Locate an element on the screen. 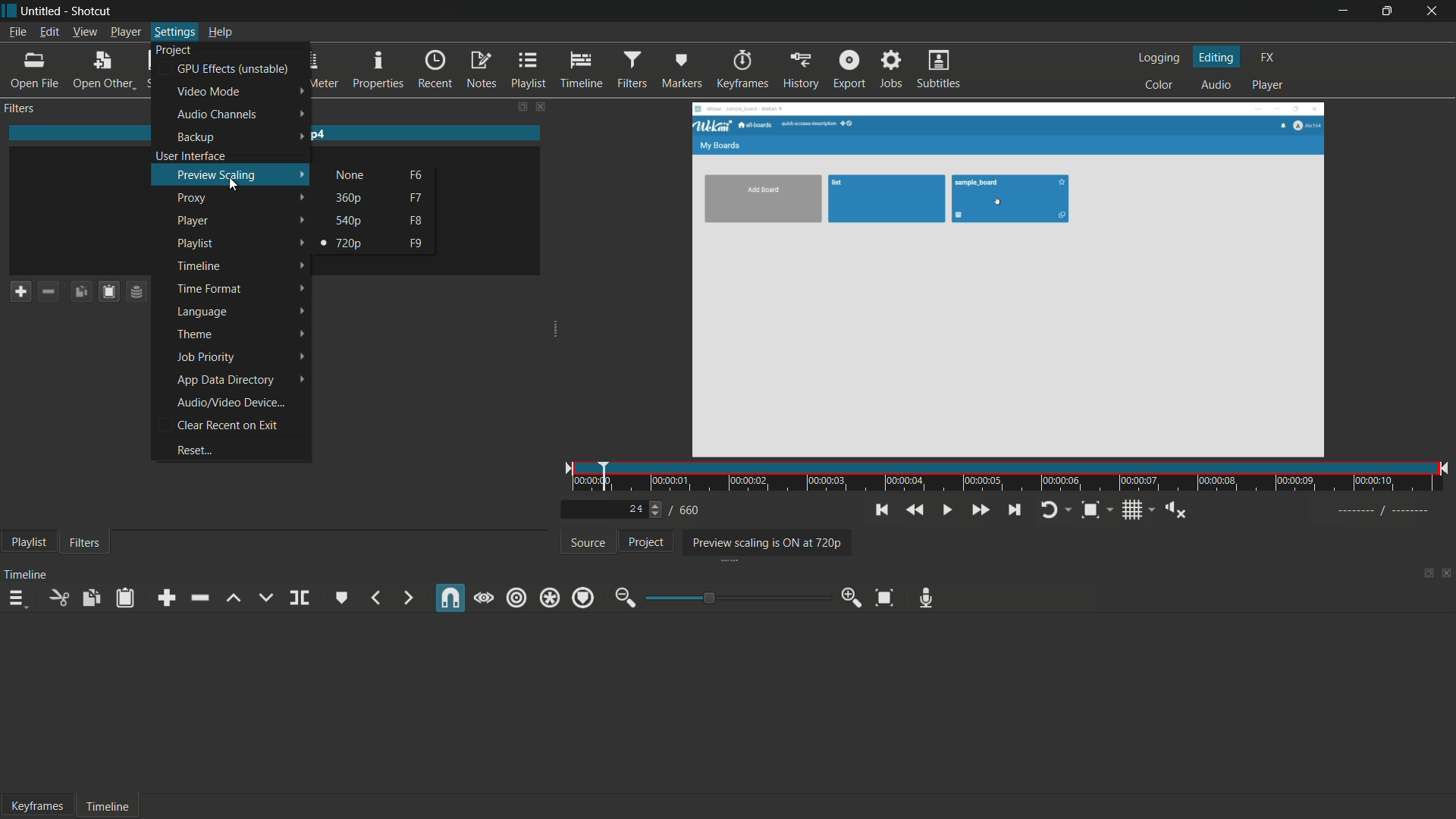 Image resolution: width=1456 pixels, height=819 pixels. zoom in is located at coordinates (852, 598).